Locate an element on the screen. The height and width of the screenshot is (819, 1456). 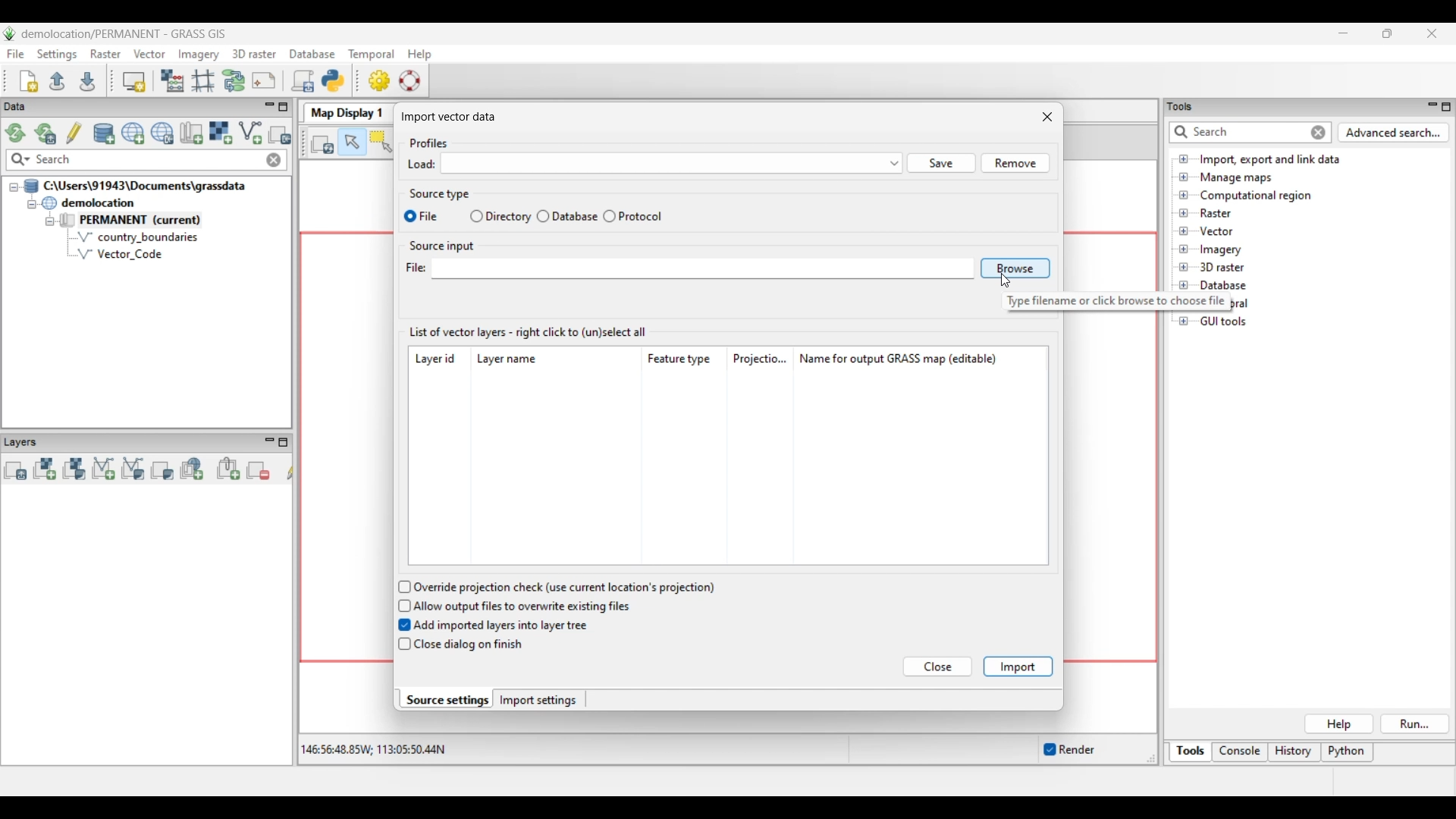
checkbox is located at coordinates (401, 586).